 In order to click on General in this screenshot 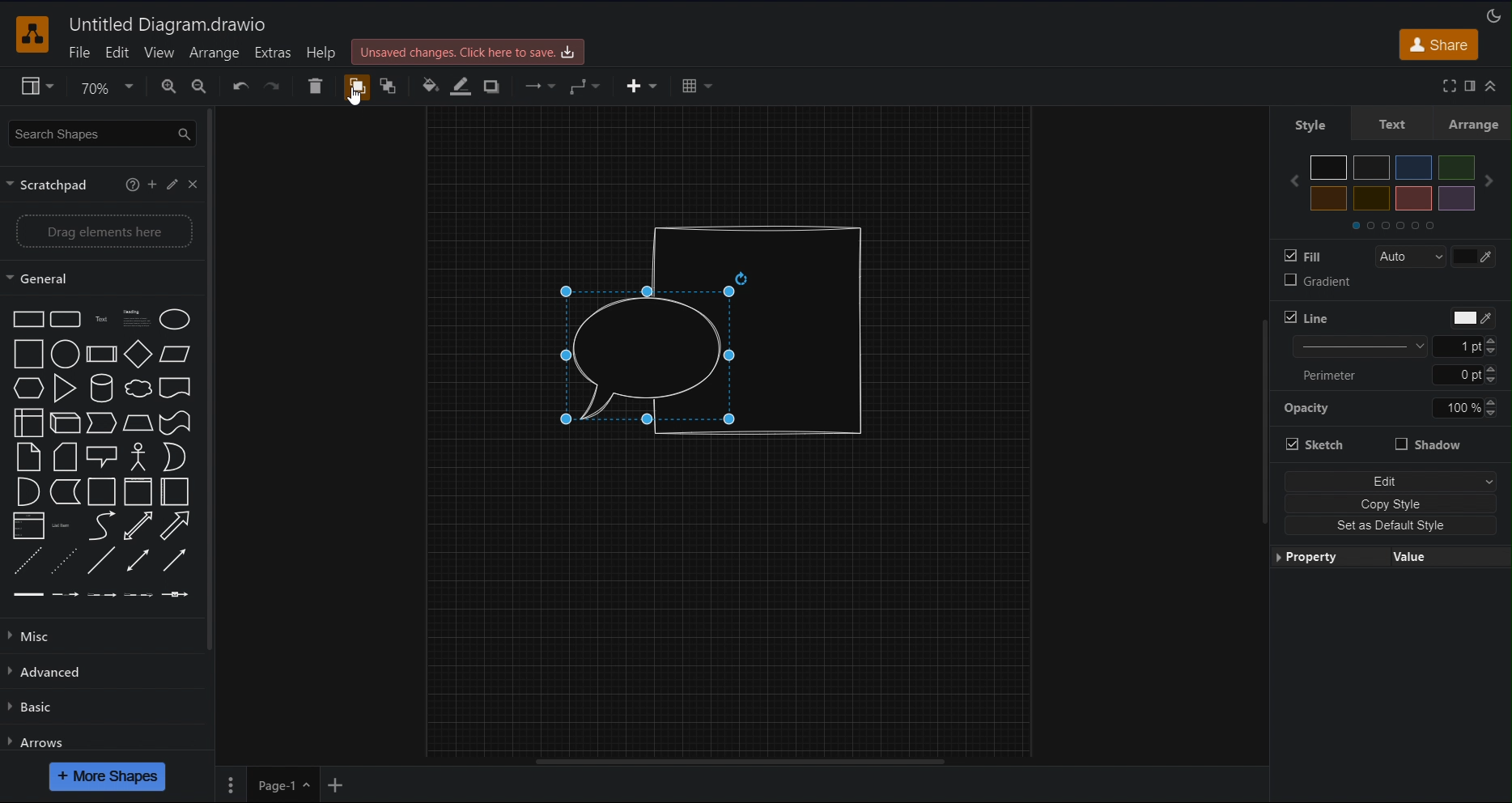, I will do `click(100, 278)`.